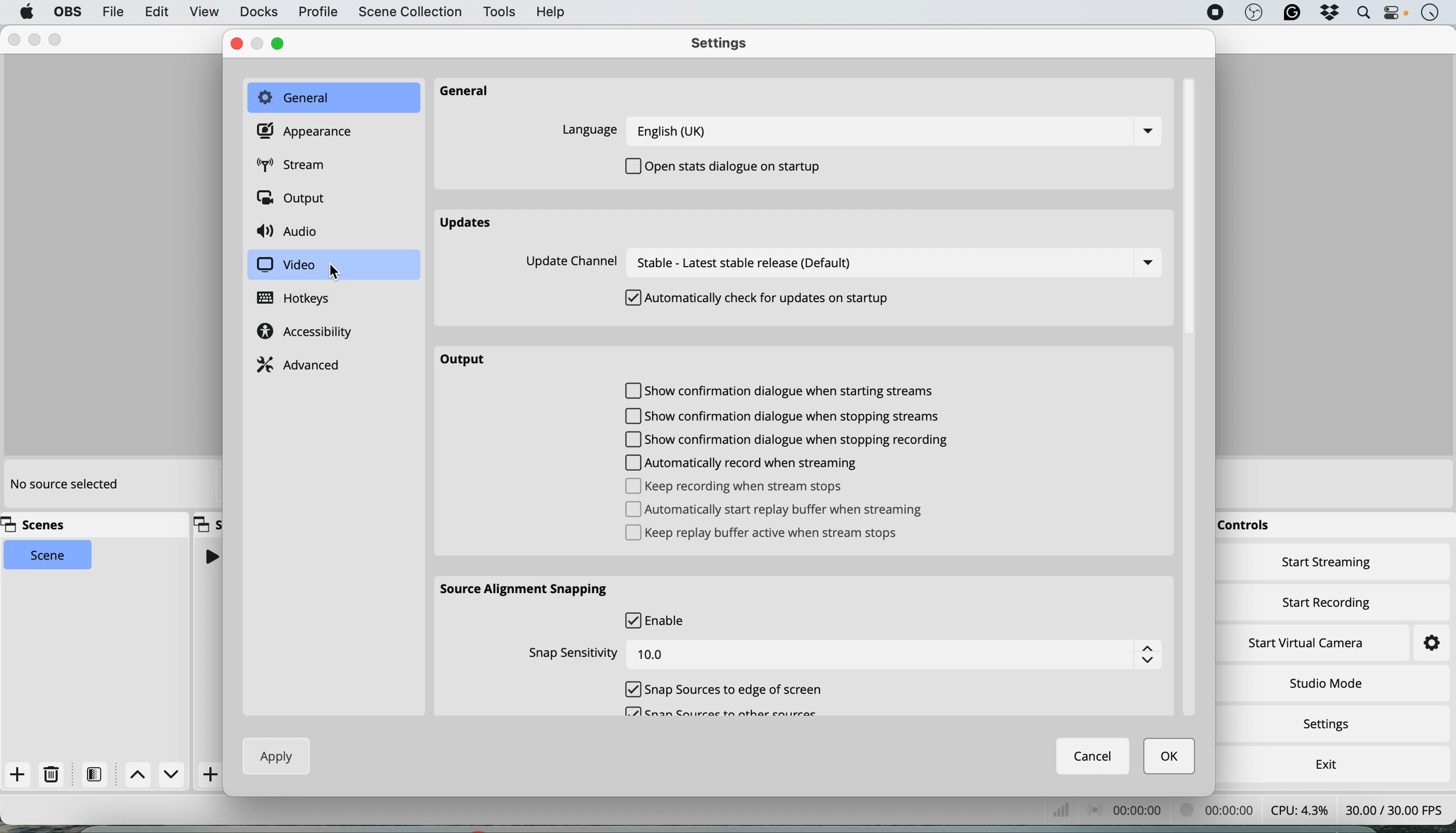 The width and height of the screenshot is (1456, 833). What do you see at coordinates (659, 620) in the screenshot?
I see `enable` at bounding box center [659, 620].